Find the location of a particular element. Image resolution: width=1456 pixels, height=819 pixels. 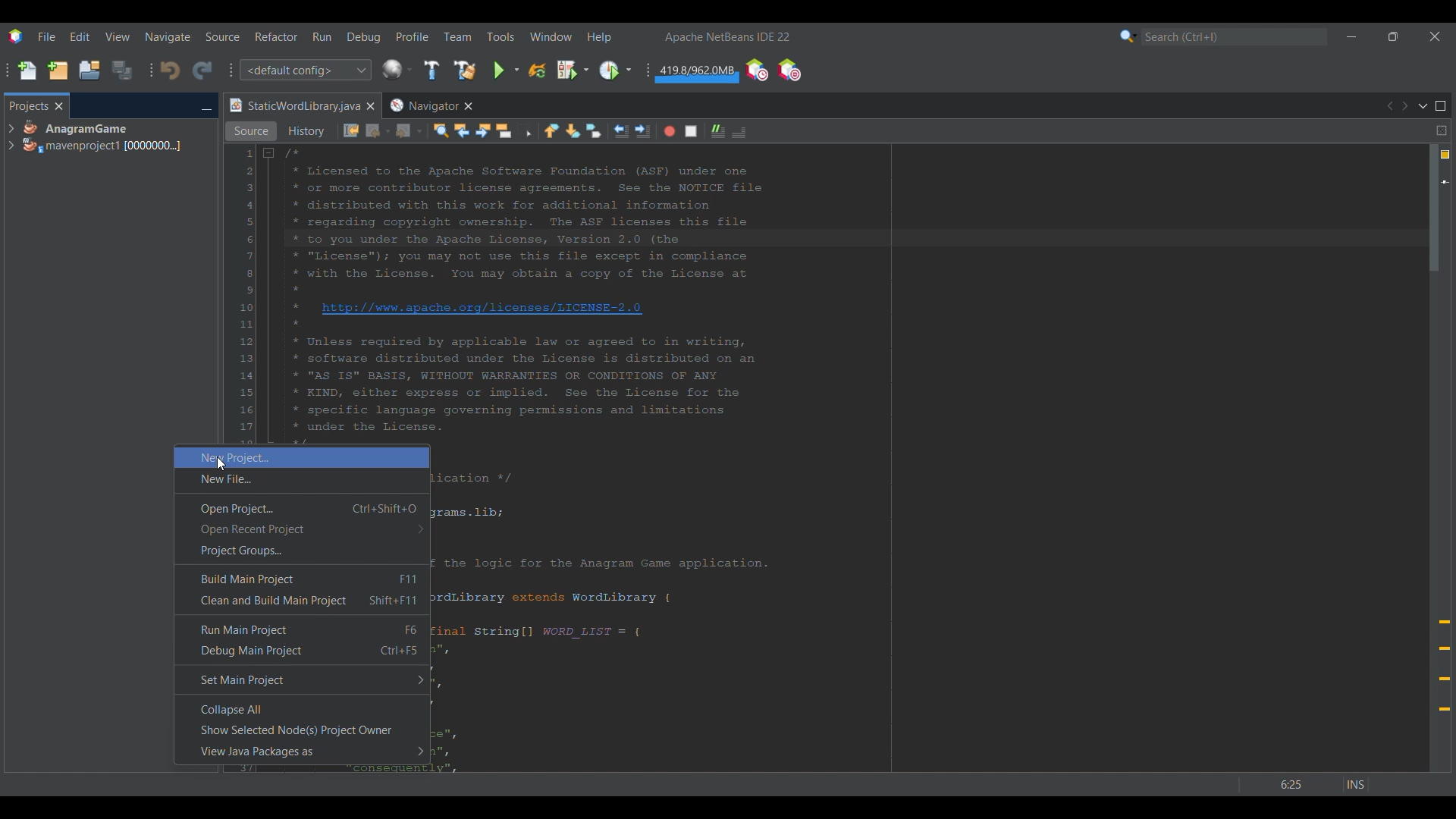

Shift line left is located at coordinates (621, 131).